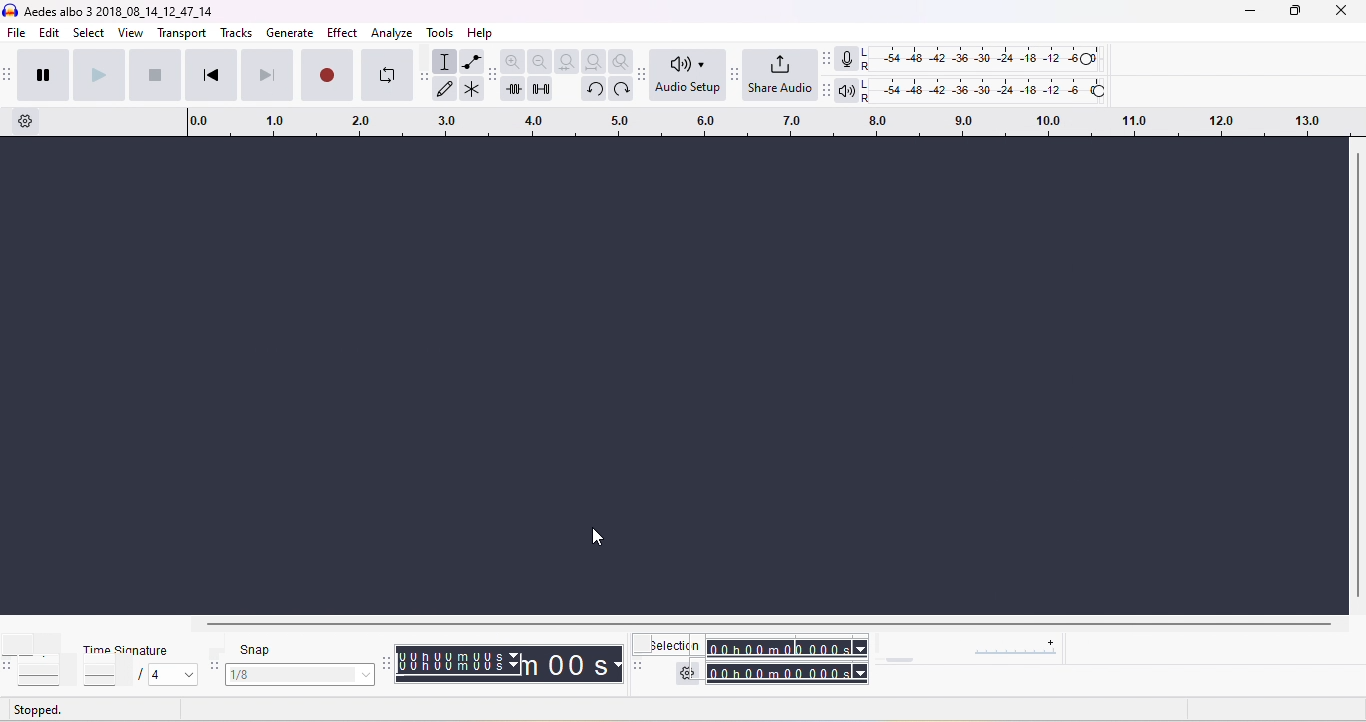  I want to click on select tempo, so click(46, 675).